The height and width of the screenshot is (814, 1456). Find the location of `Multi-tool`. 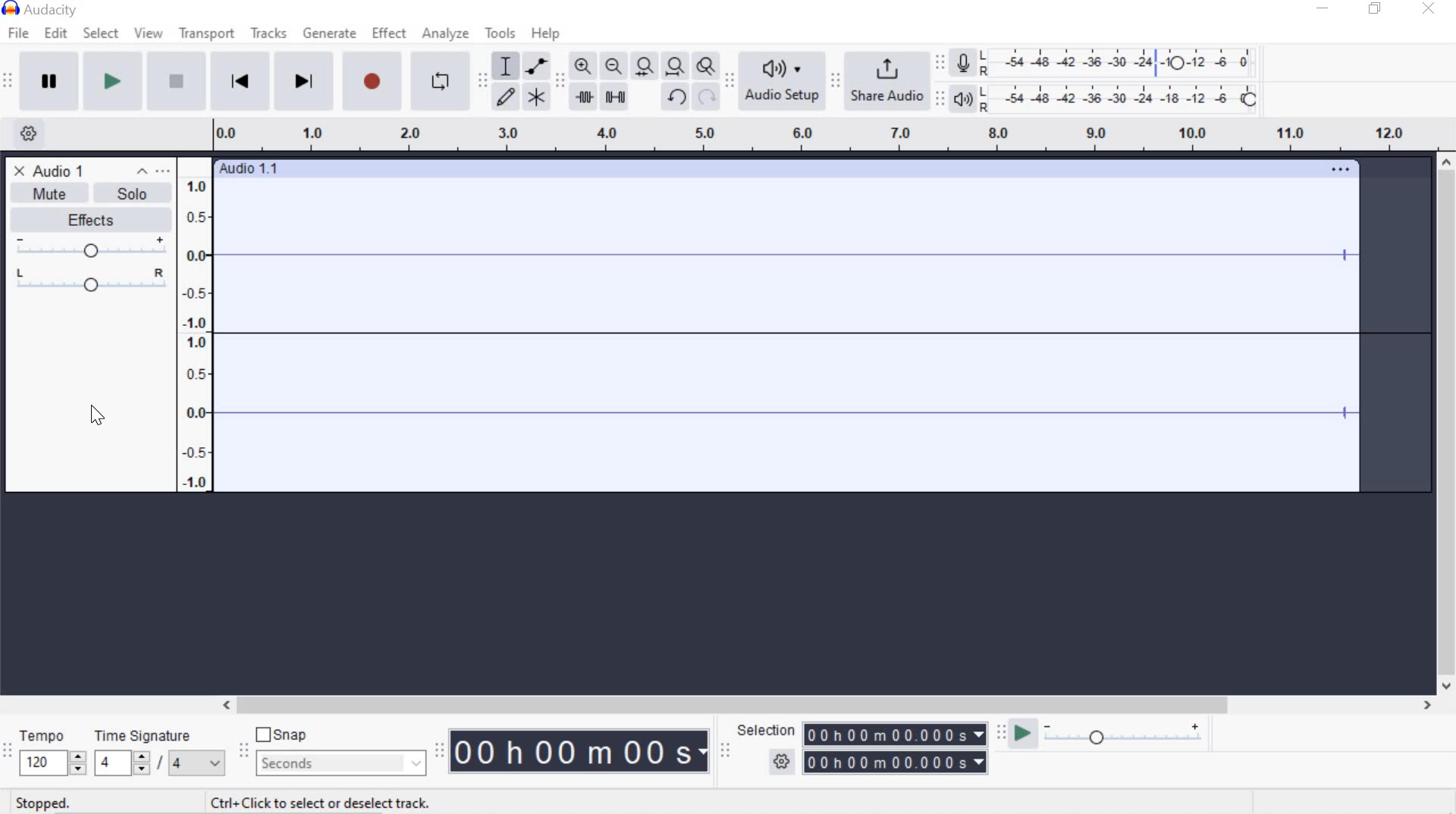

Multi-tool is located at coordinates (537, 96).